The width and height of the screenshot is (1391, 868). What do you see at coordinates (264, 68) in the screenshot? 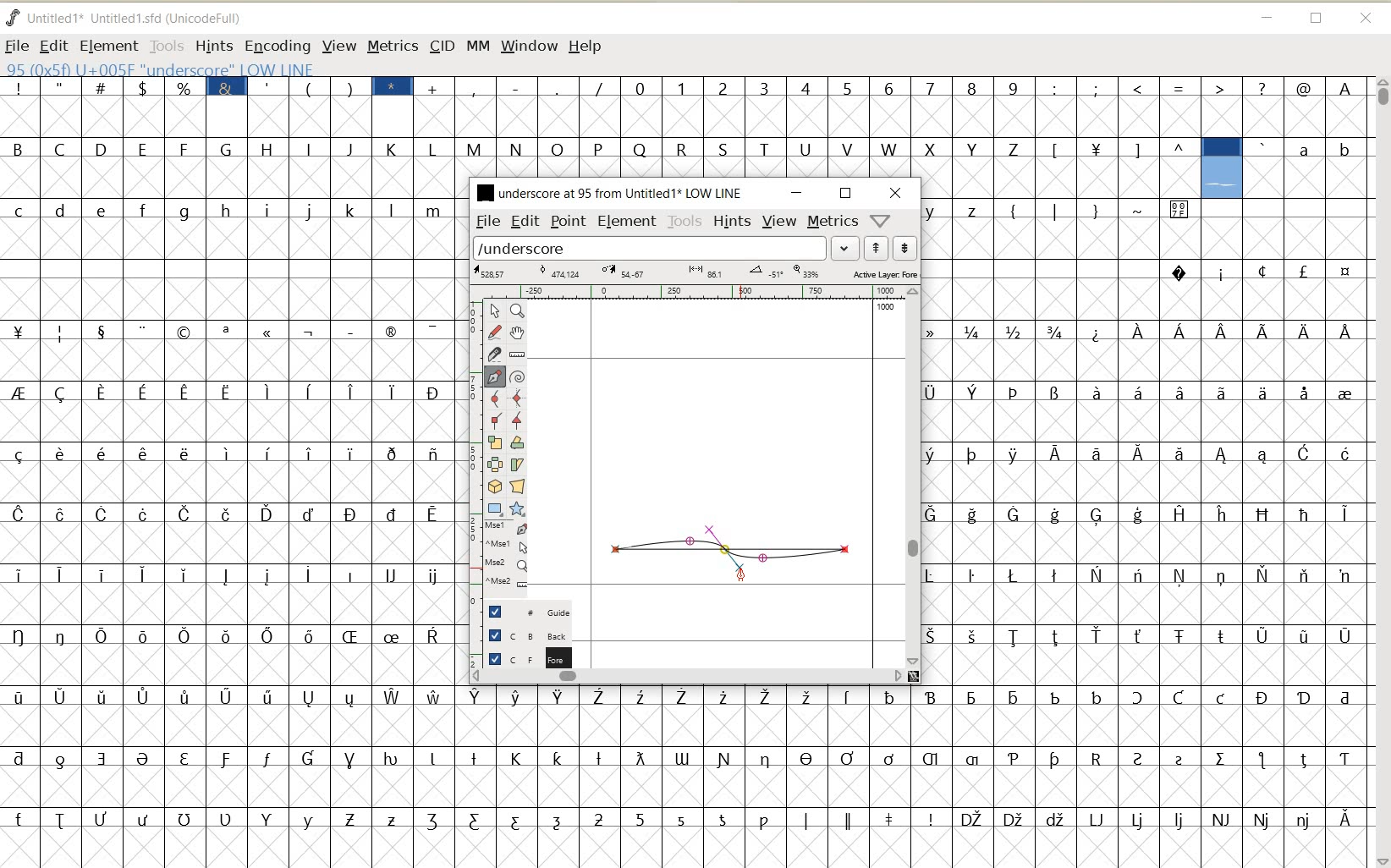
I see `GLYPHY INFO` at bounding box center [264, 68].